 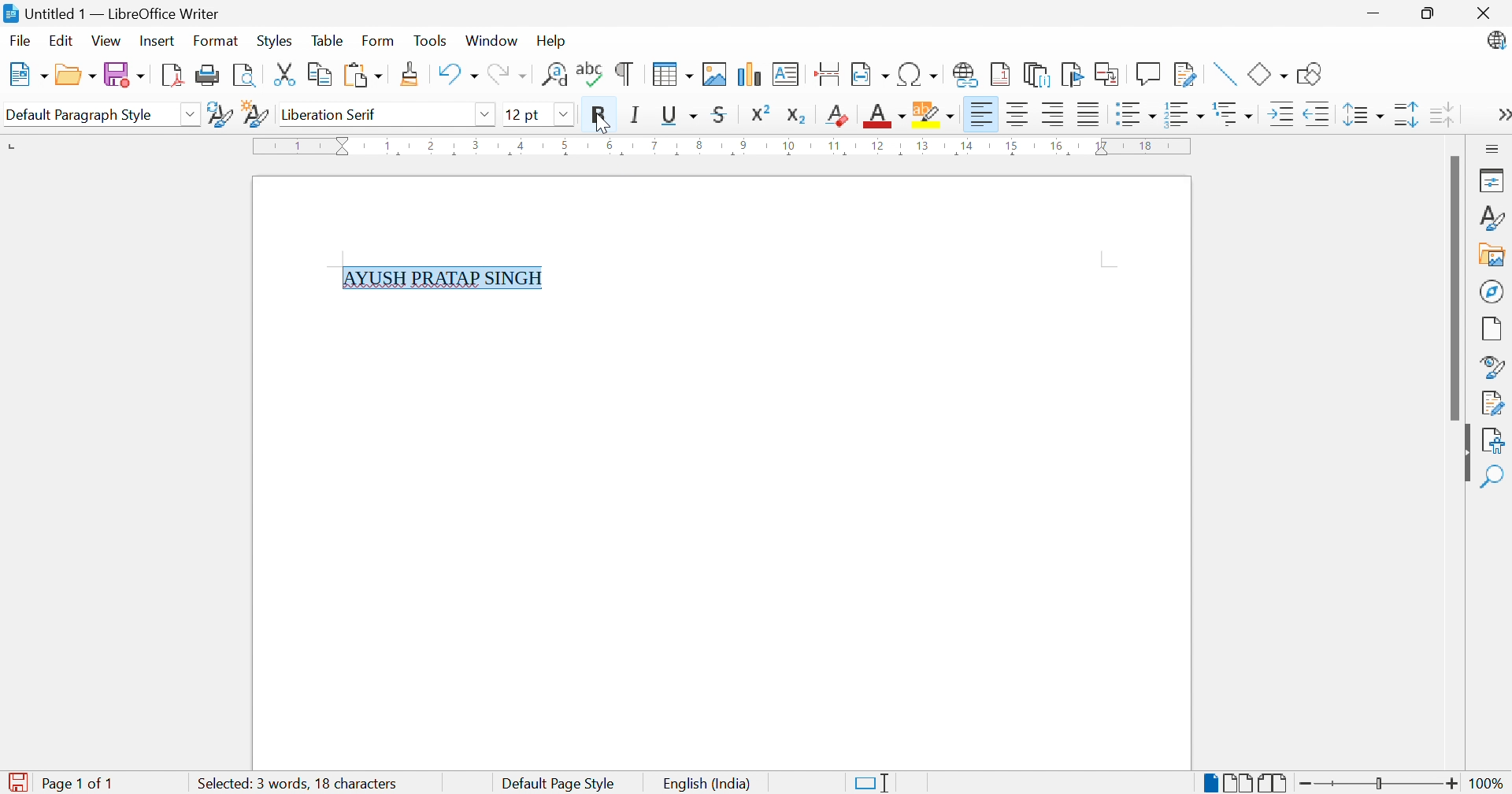 What do you see at coordinates (1452, 288) in the screenshot?
I see `Scroll Bar` at bounding box center [1452, 288].